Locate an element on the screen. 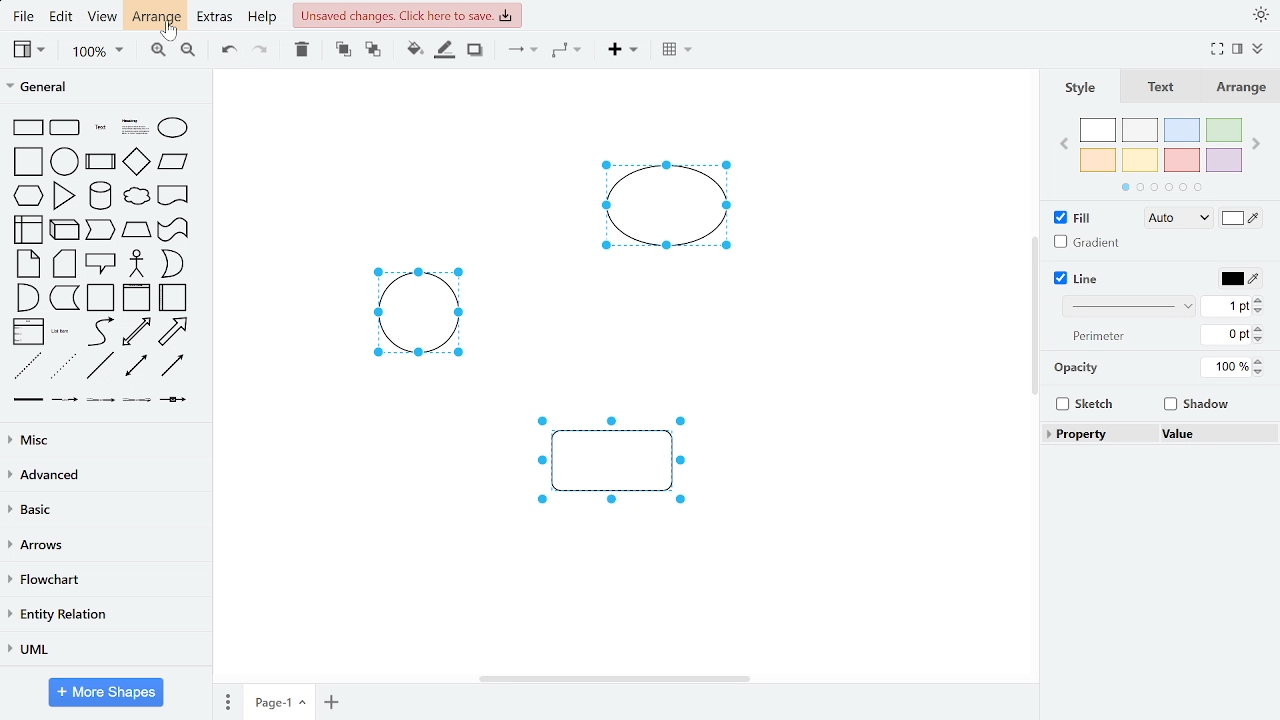 Image resolution: width=1280 pixels, height=720 pixels. and is located at coordinates (26, 297).